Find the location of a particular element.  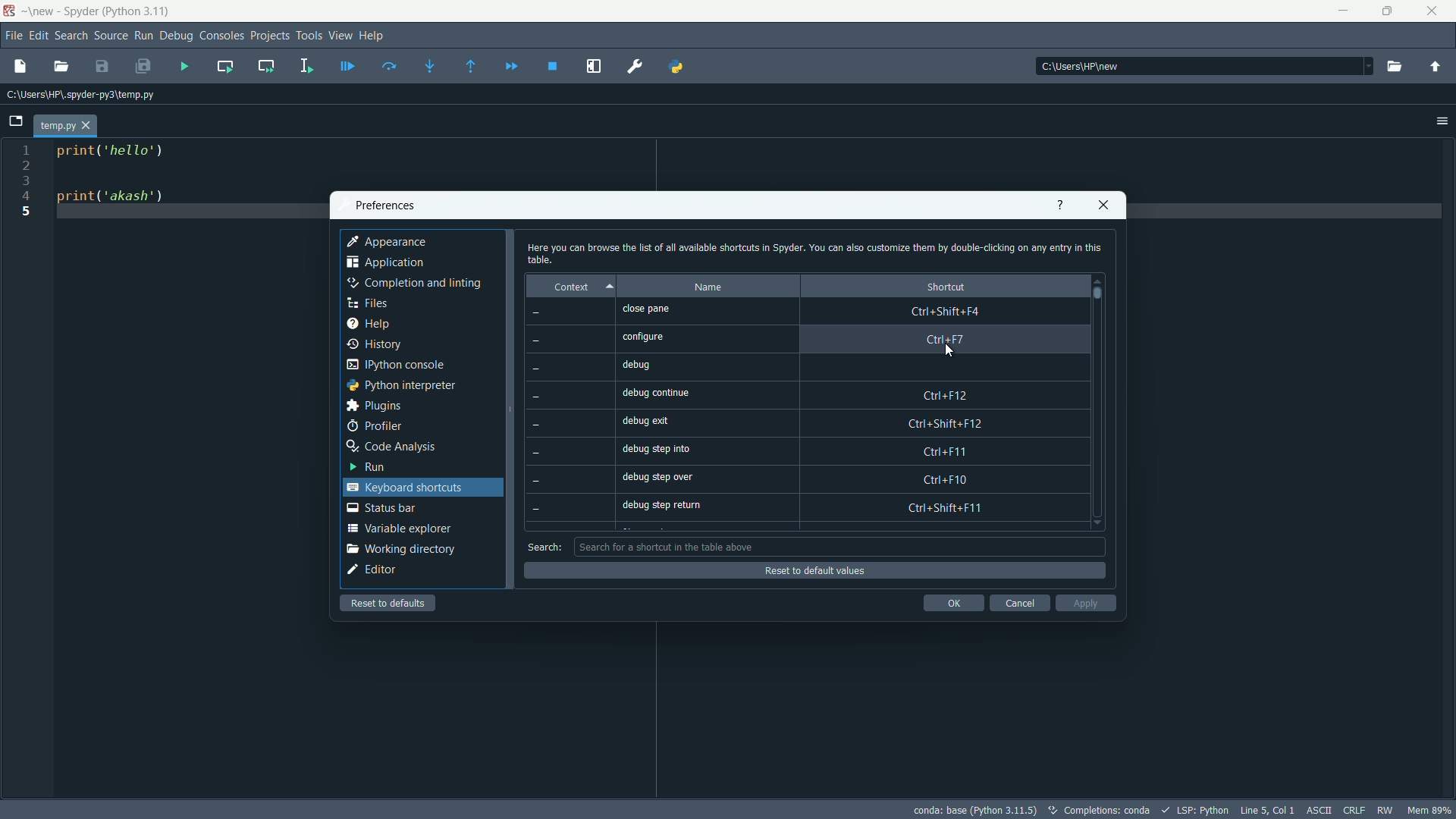

status bar is located at coordinates (381, 507).